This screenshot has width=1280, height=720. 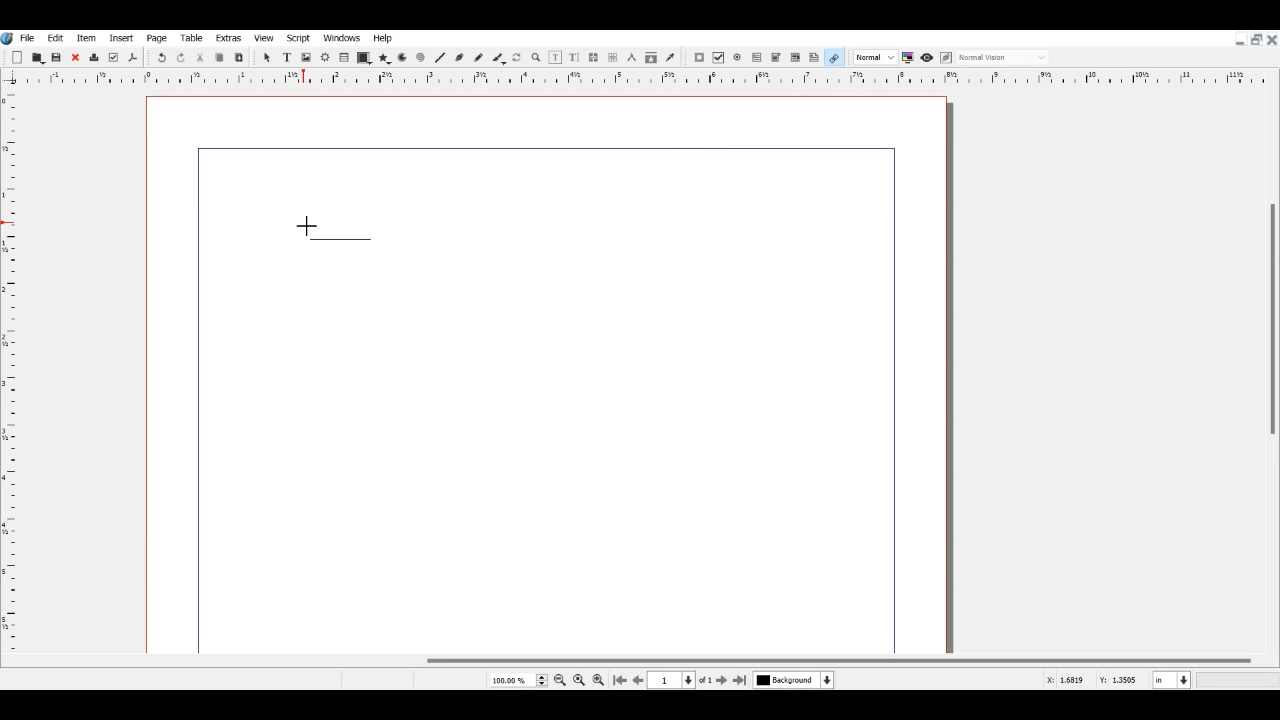 What do you see at coordinates (684, 680) in the screenshot?
I see `Select current Page` at bounding box center [684, 680].